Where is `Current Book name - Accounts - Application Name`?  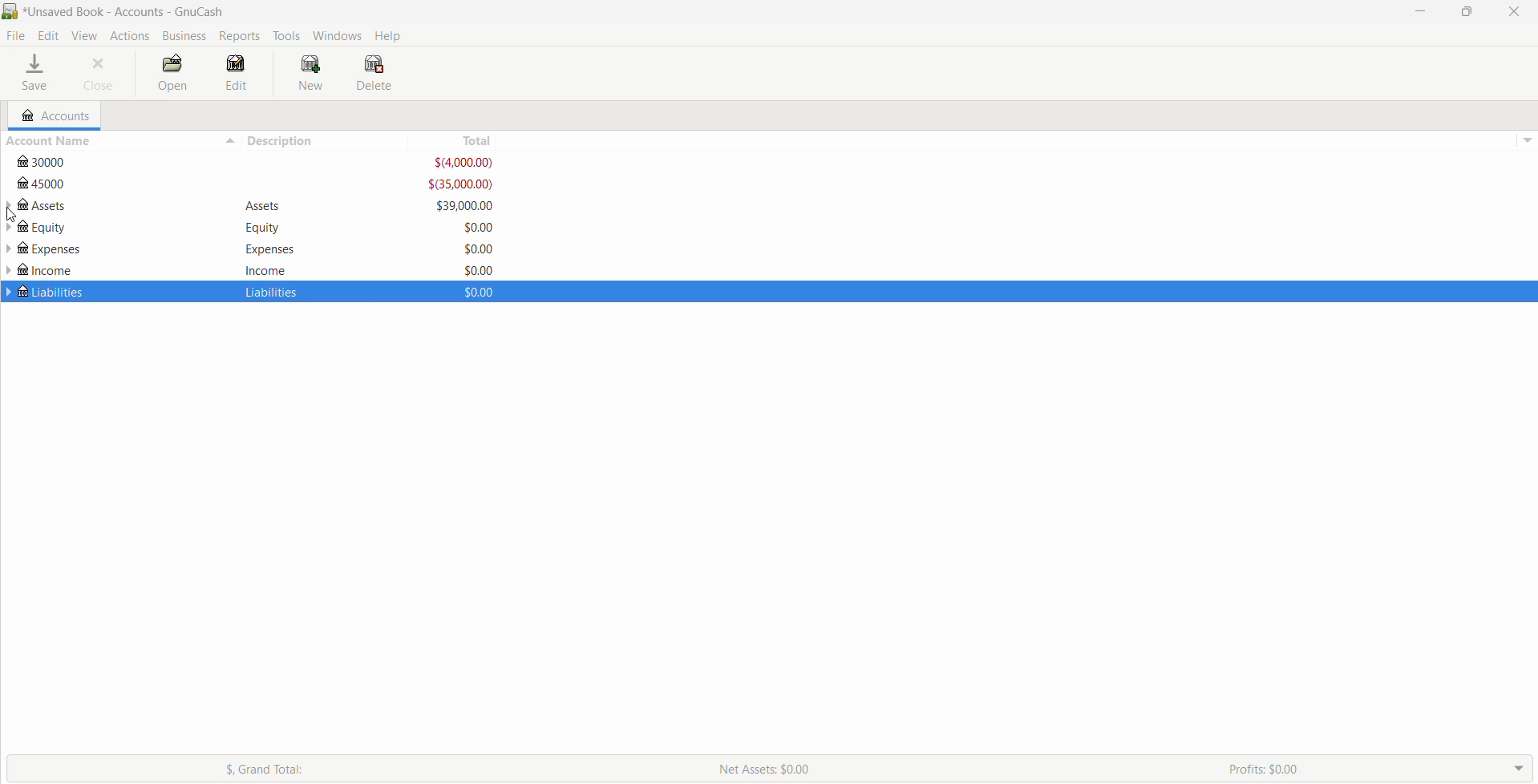 Current Book name - Accounts - Application Name is located at coordinates (128, 11).